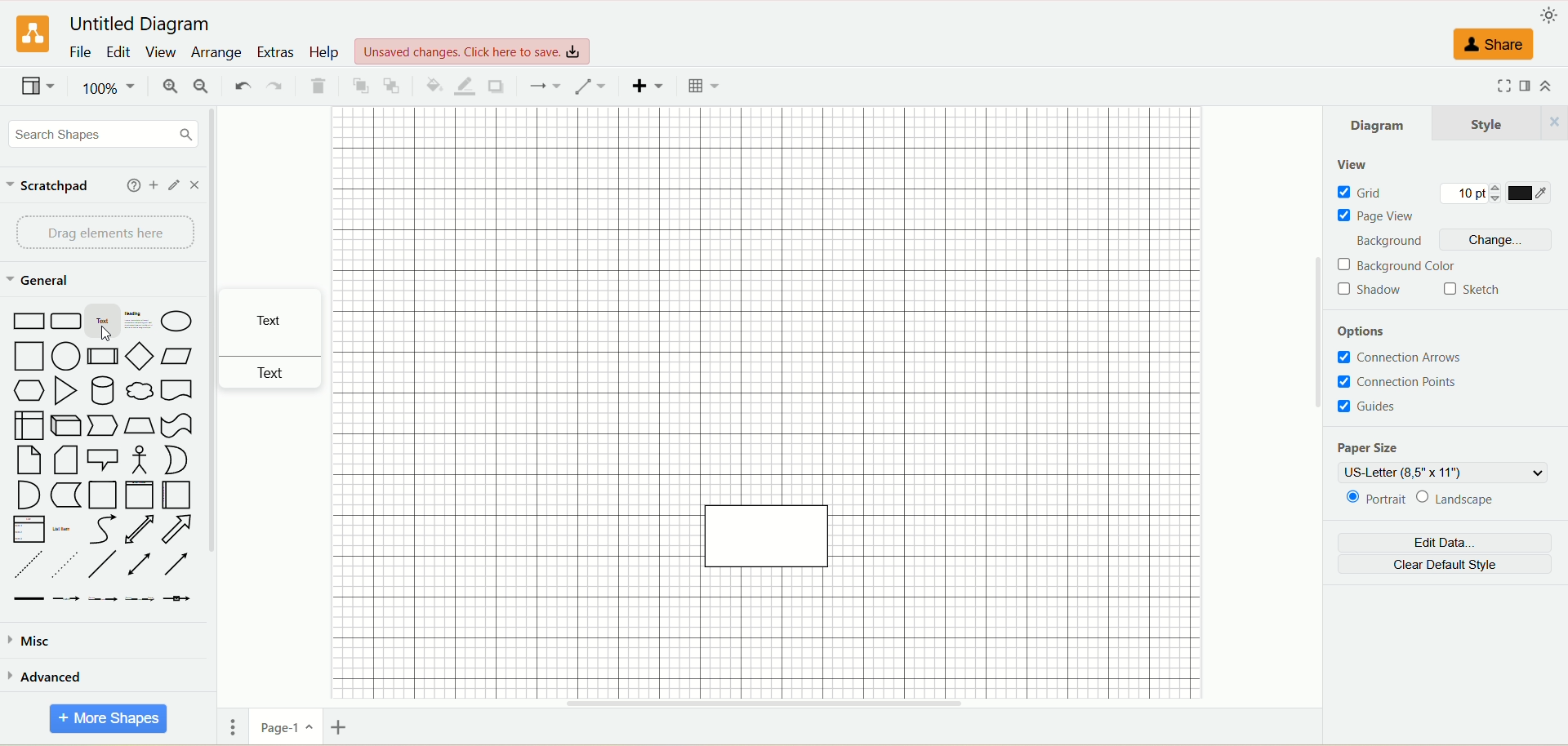 This screenshot has width=1568, height=746. What do you see at coordinates (1415, 382) in the screenshot?
I see `connection points` at bounding box center [1415, 382].